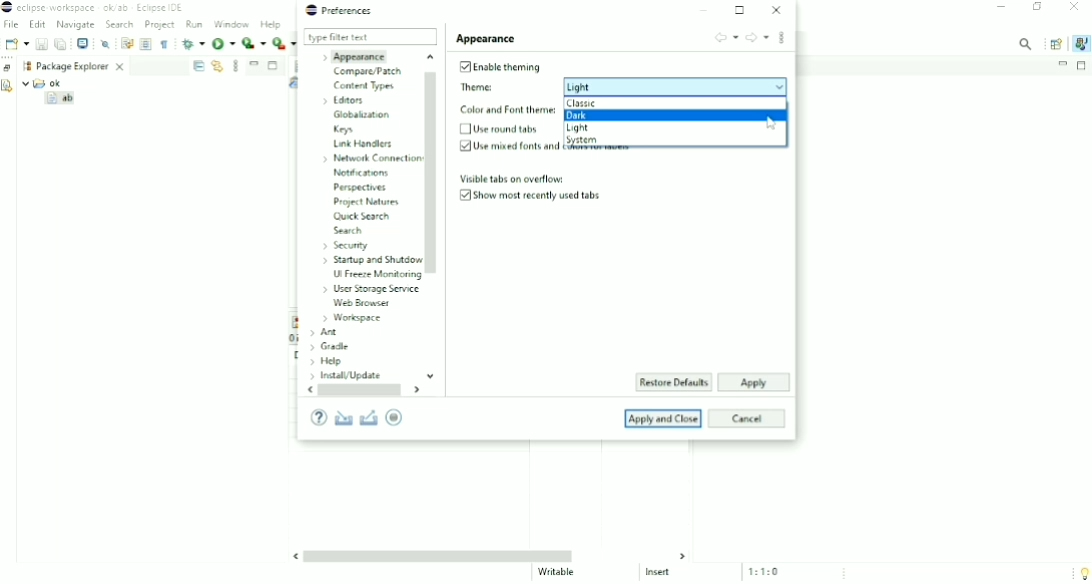  I want to click on Project, so click(160, 26).